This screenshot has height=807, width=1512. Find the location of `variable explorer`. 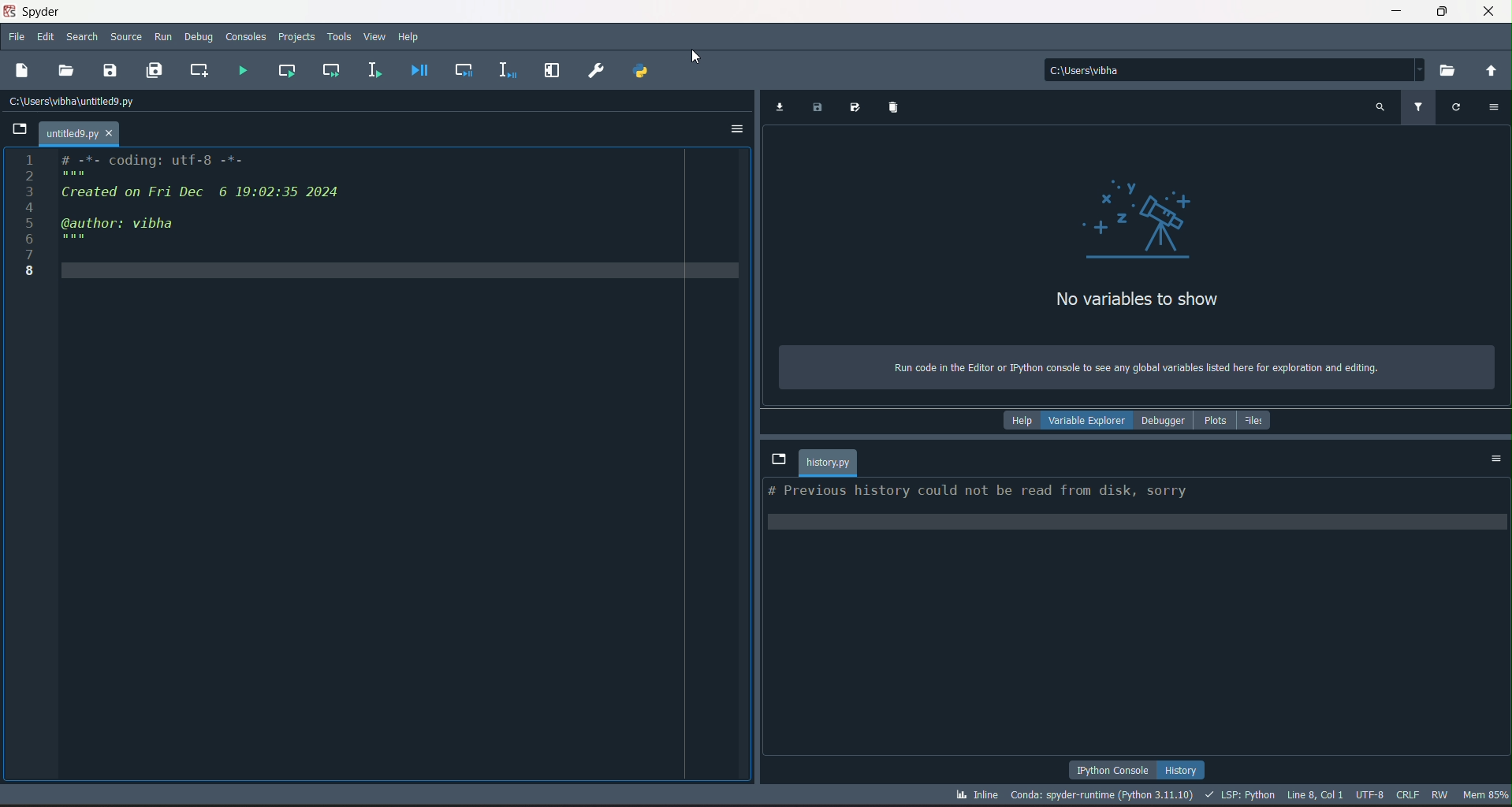

variable explorer is located at coordinates (1086, 421).